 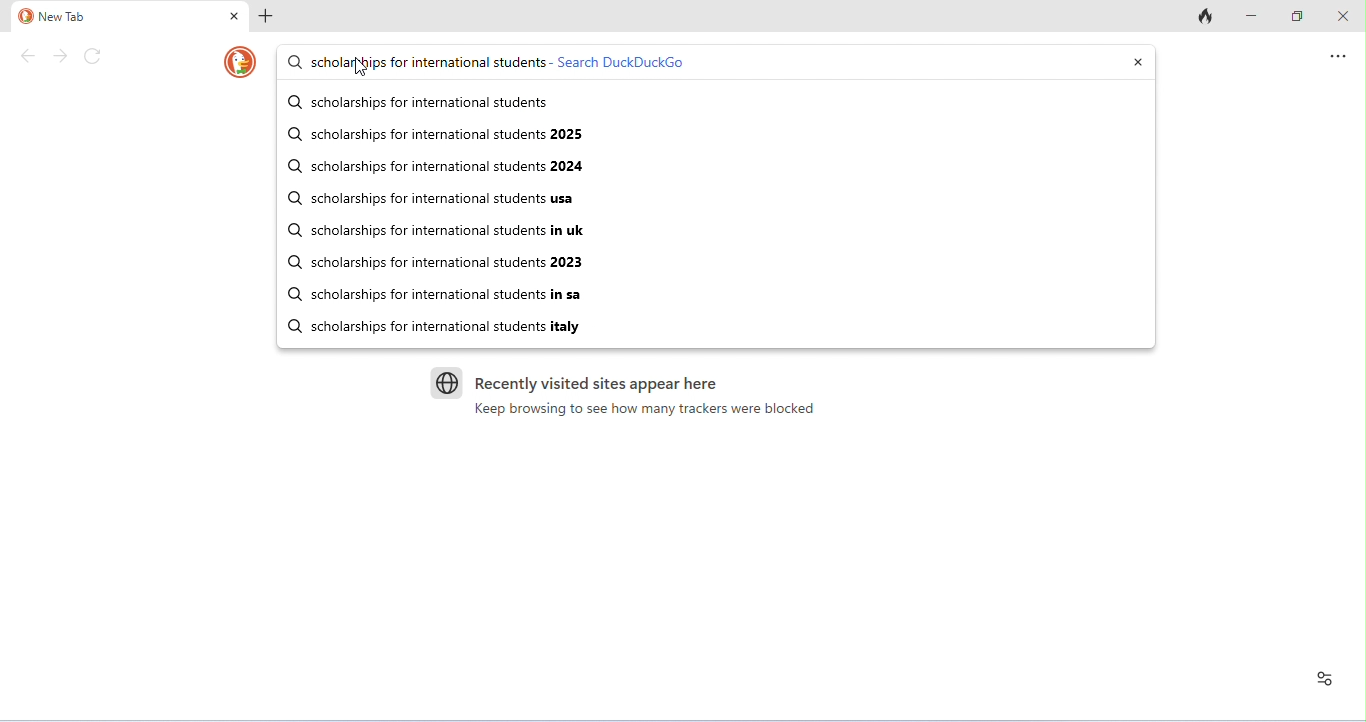 What do you see at coordinates (445, 294) in the screenshot?
I see `scholarships for international students sa` at bounding box center [445, 294].